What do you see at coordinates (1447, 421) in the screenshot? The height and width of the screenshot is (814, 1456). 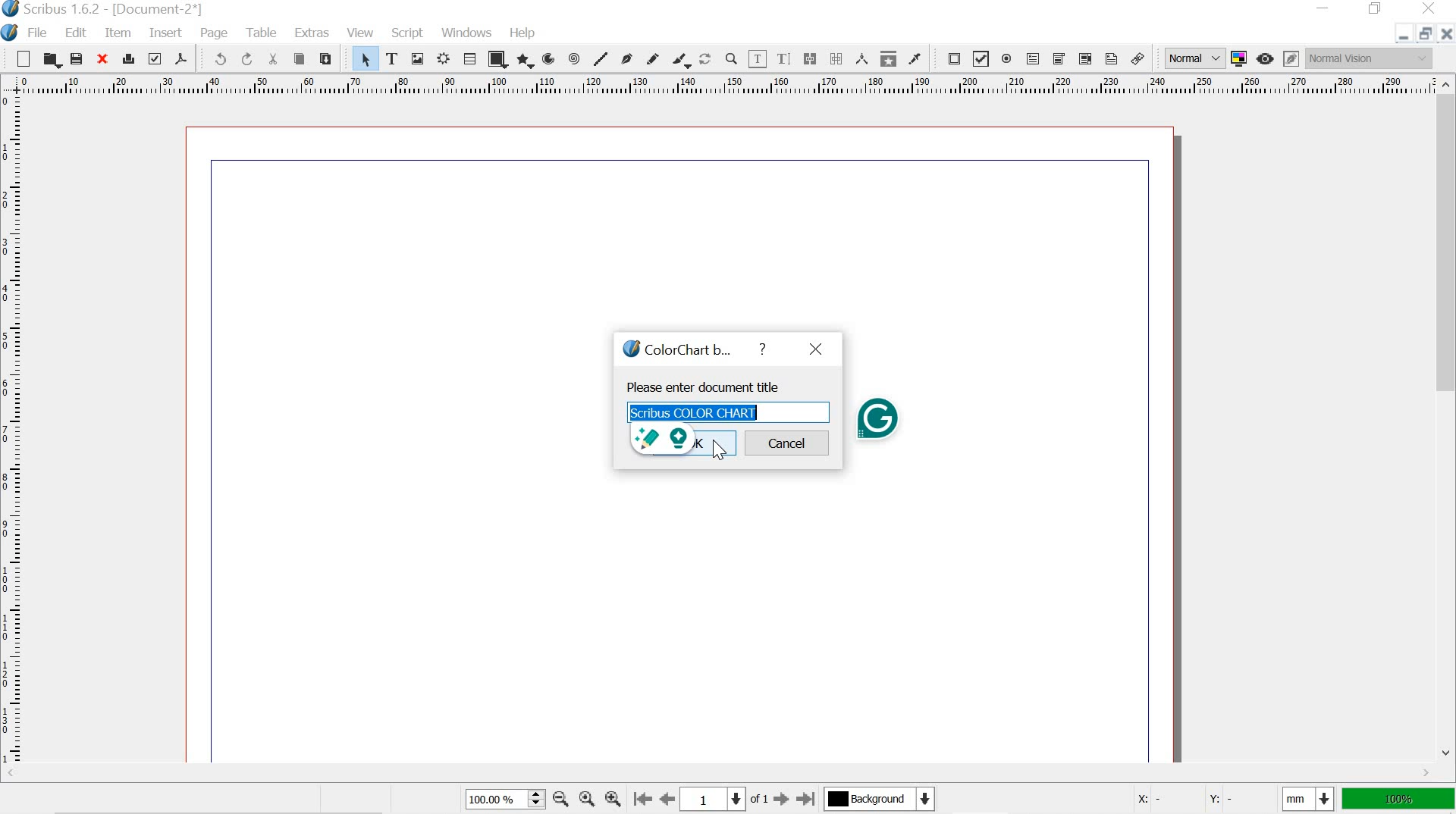 I see `scrollbar` at bounding box center [1447, 421].